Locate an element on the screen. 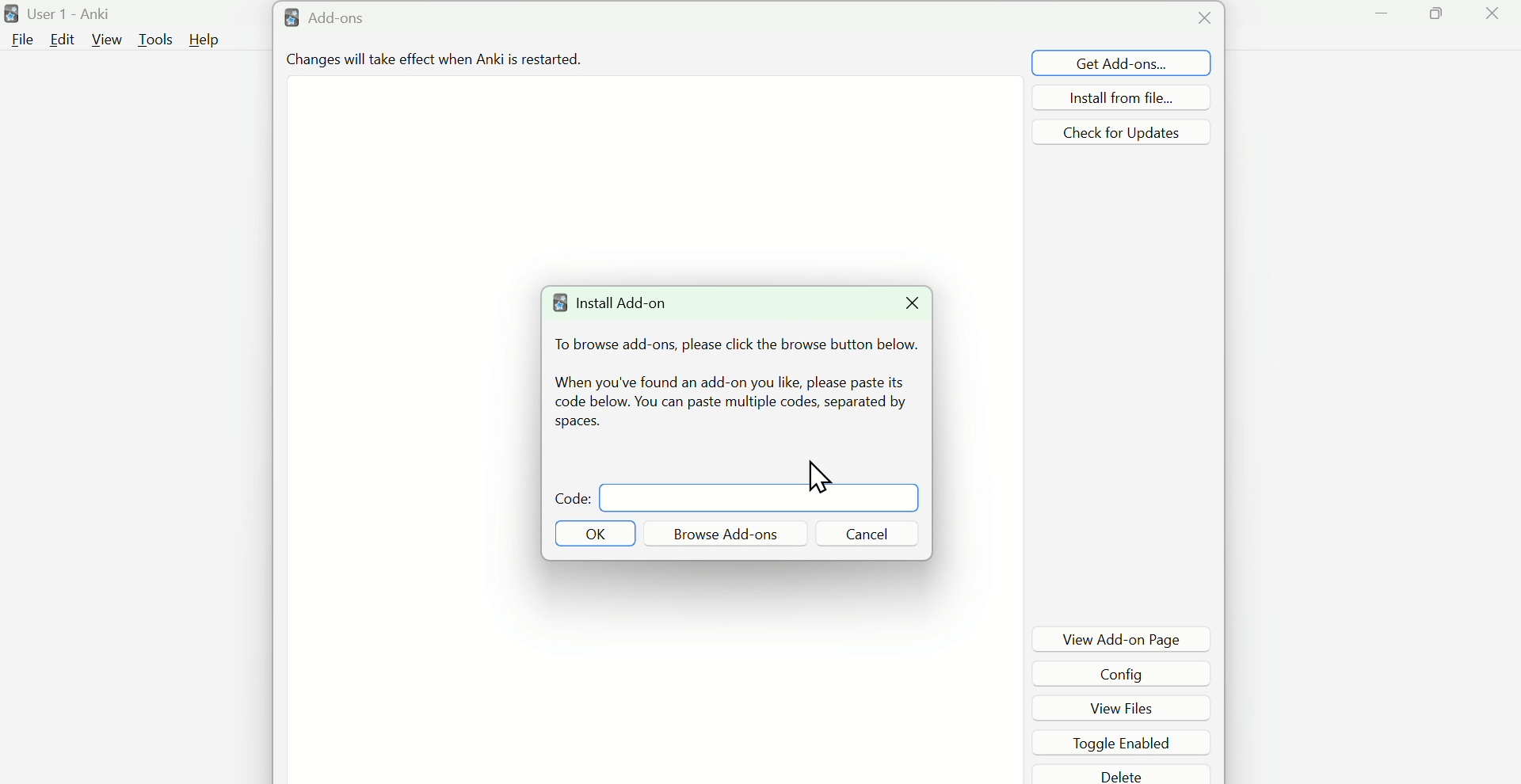  View Add-on Page is located at coordinates (1123, 638).